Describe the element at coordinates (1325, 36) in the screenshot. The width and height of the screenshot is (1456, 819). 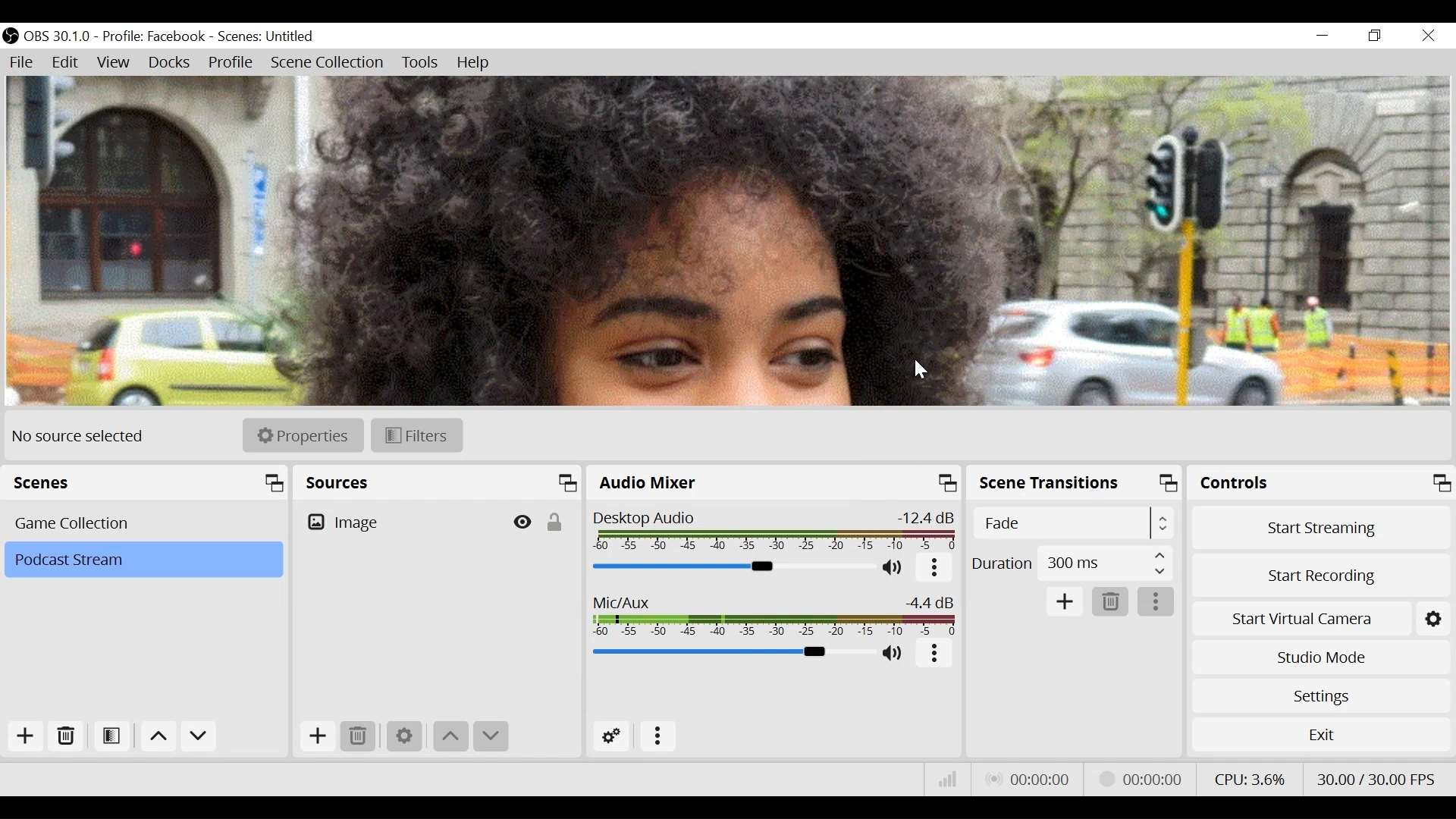
I see `Minimize` at that location.